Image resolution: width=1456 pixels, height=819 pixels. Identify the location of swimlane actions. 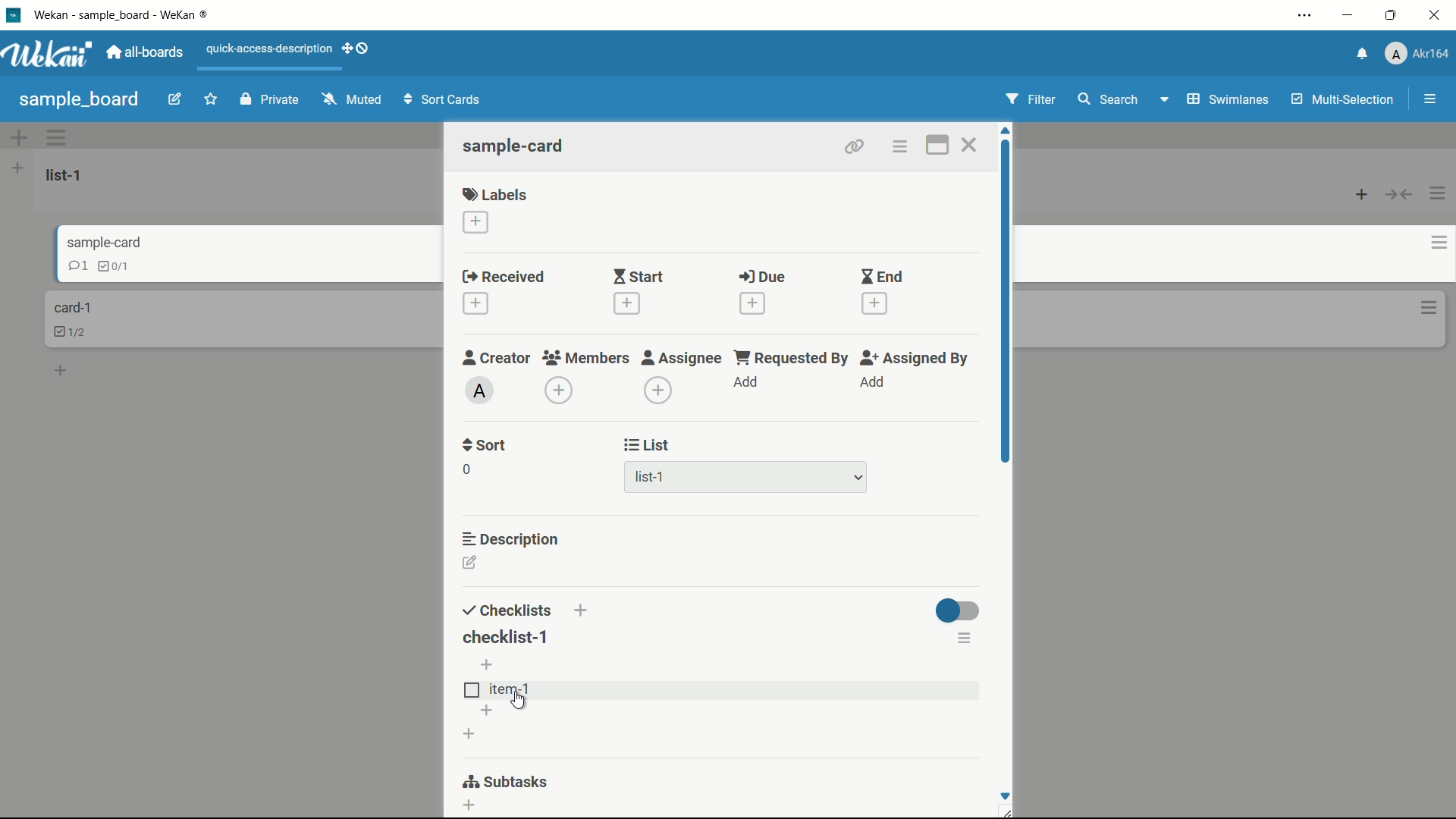
(57, 136).